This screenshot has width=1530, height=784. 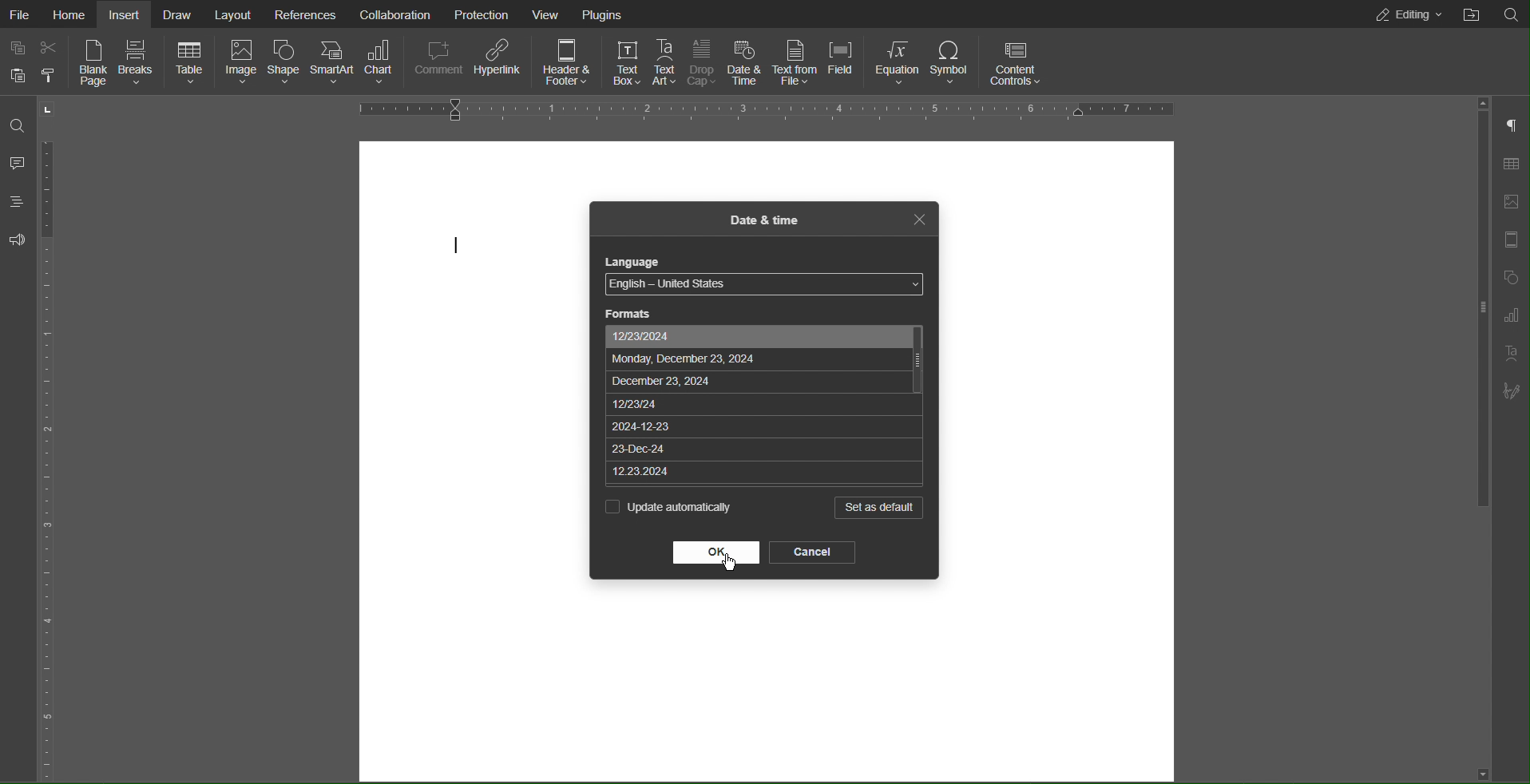 What do you see at coordinates (731, 561) in the screenshot?
I see `Cursor at OK` at bounding box center [731, 561].